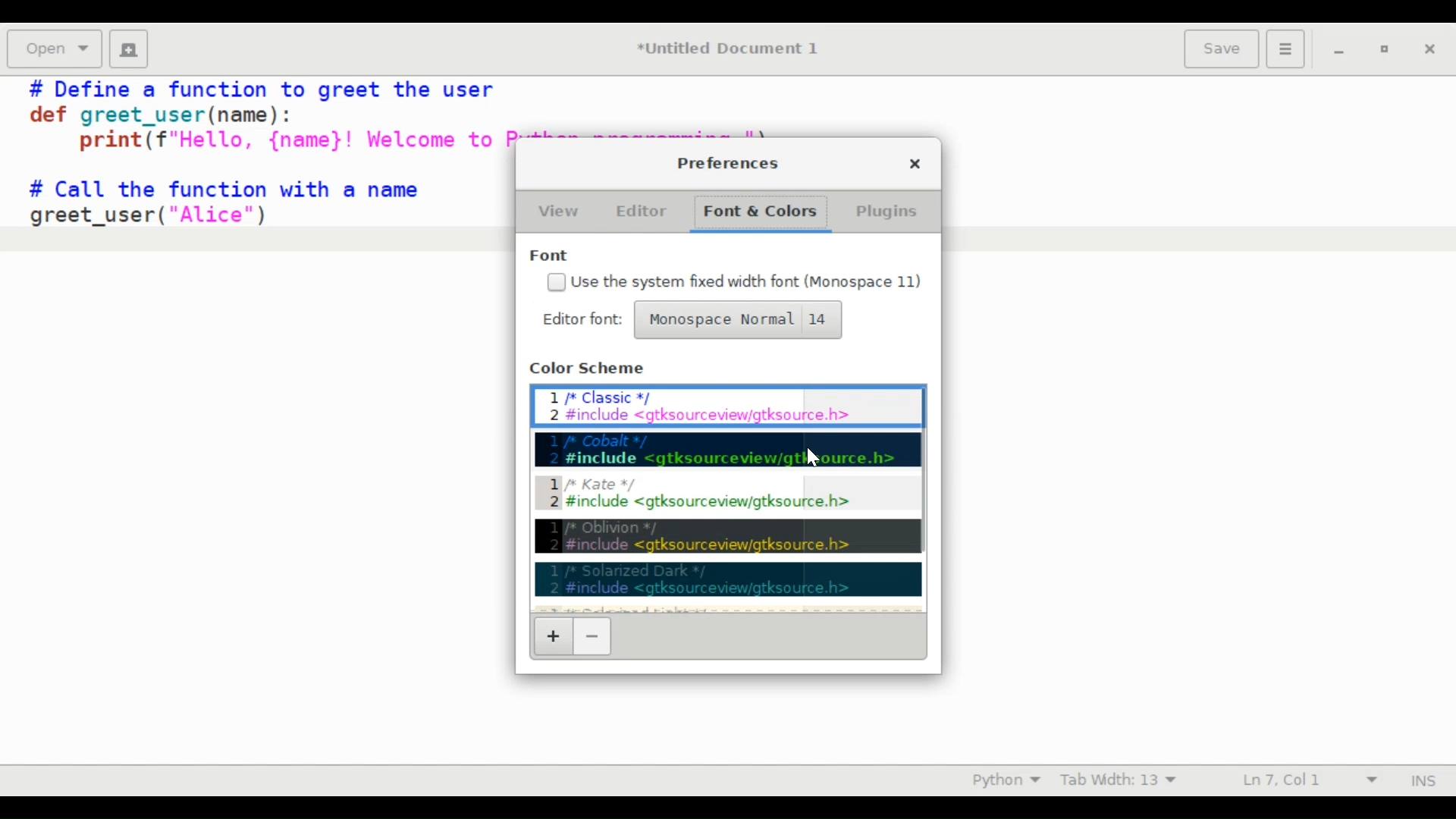 This screenshot has width=1456, height=819. What do you see at coordinates (591, 638) in the screenshot?
I see `Uninstall scheme` at bounding box center [591, 638].